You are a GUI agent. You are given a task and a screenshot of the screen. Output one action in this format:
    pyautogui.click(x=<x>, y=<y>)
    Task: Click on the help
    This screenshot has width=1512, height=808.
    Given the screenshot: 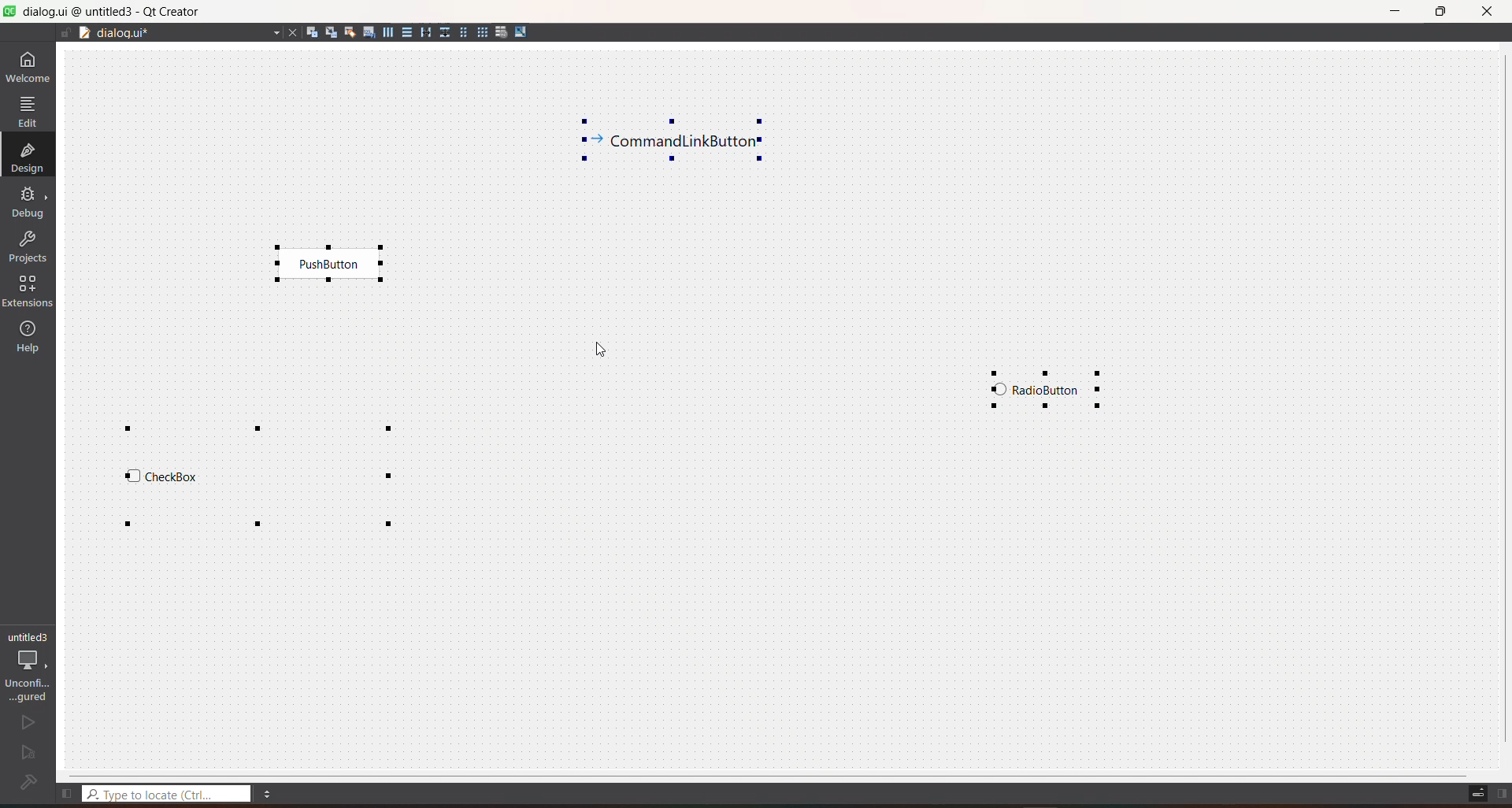 What is the action you would take?
    pyautogui.click(x=28, y=336)
    